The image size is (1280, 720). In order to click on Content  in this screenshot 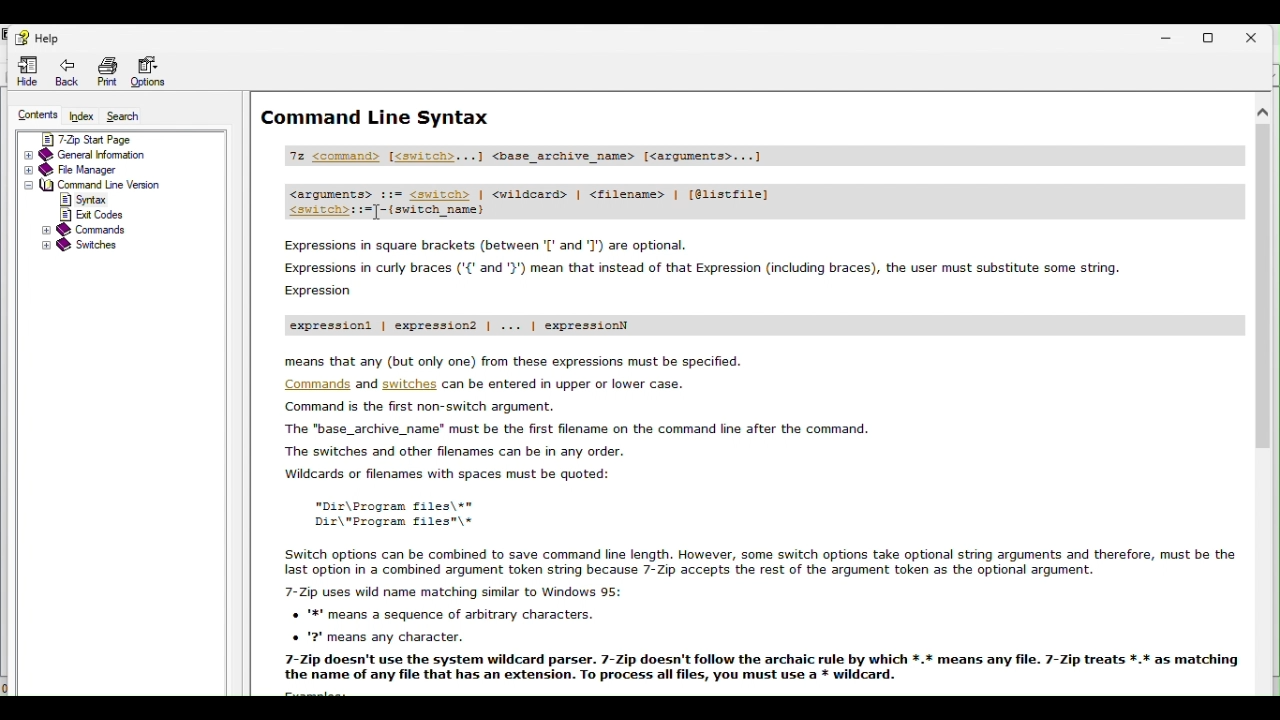, I will do `click(35, 116)`.